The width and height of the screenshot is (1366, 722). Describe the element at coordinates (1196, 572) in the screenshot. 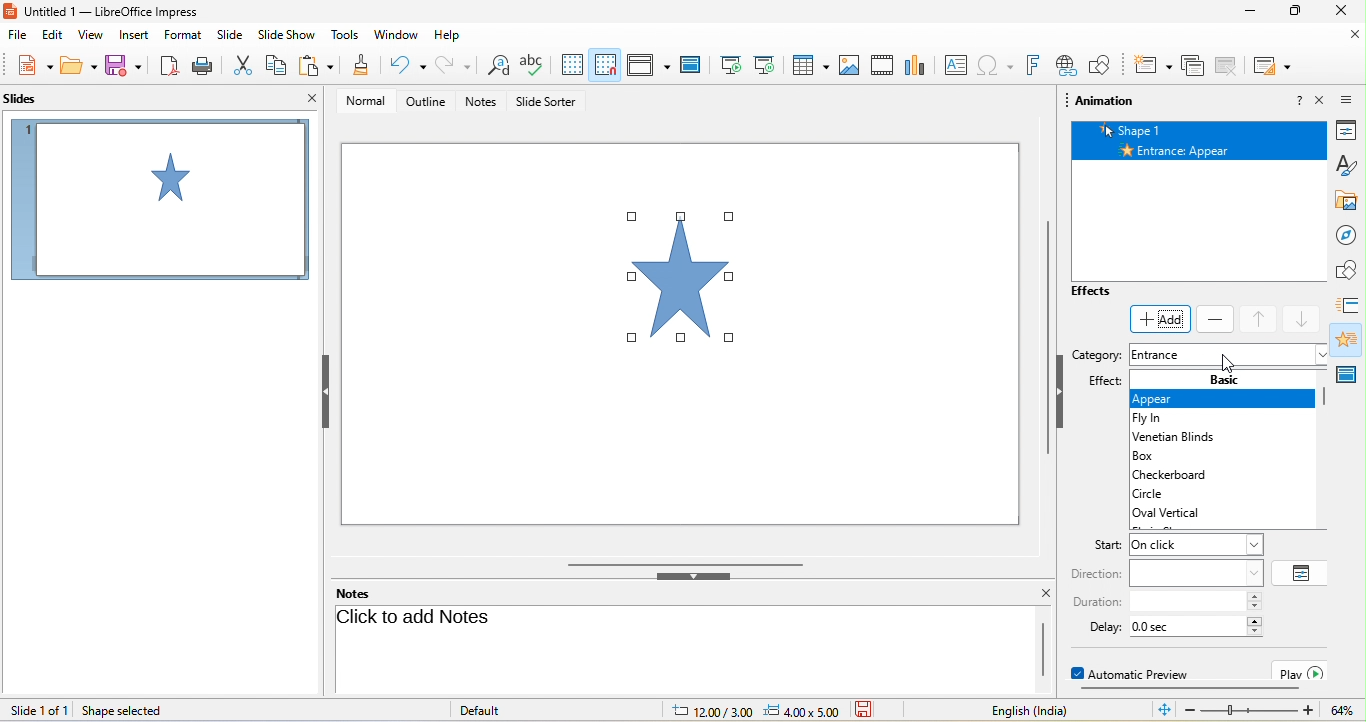

I see `input direction` at that location.